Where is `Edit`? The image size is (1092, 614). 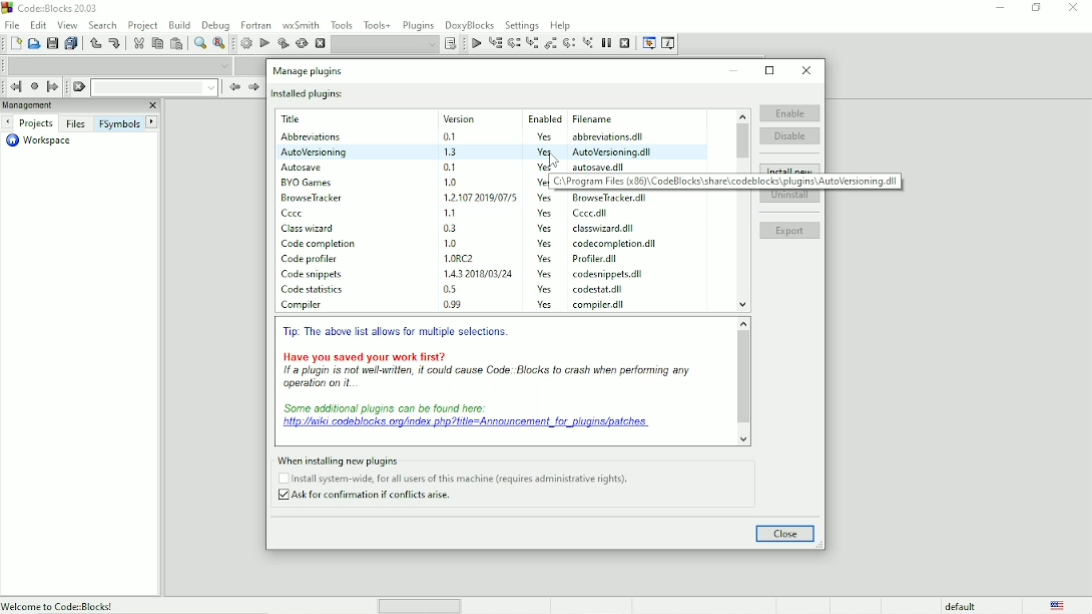
Edit is located at coordinates (39, 24).